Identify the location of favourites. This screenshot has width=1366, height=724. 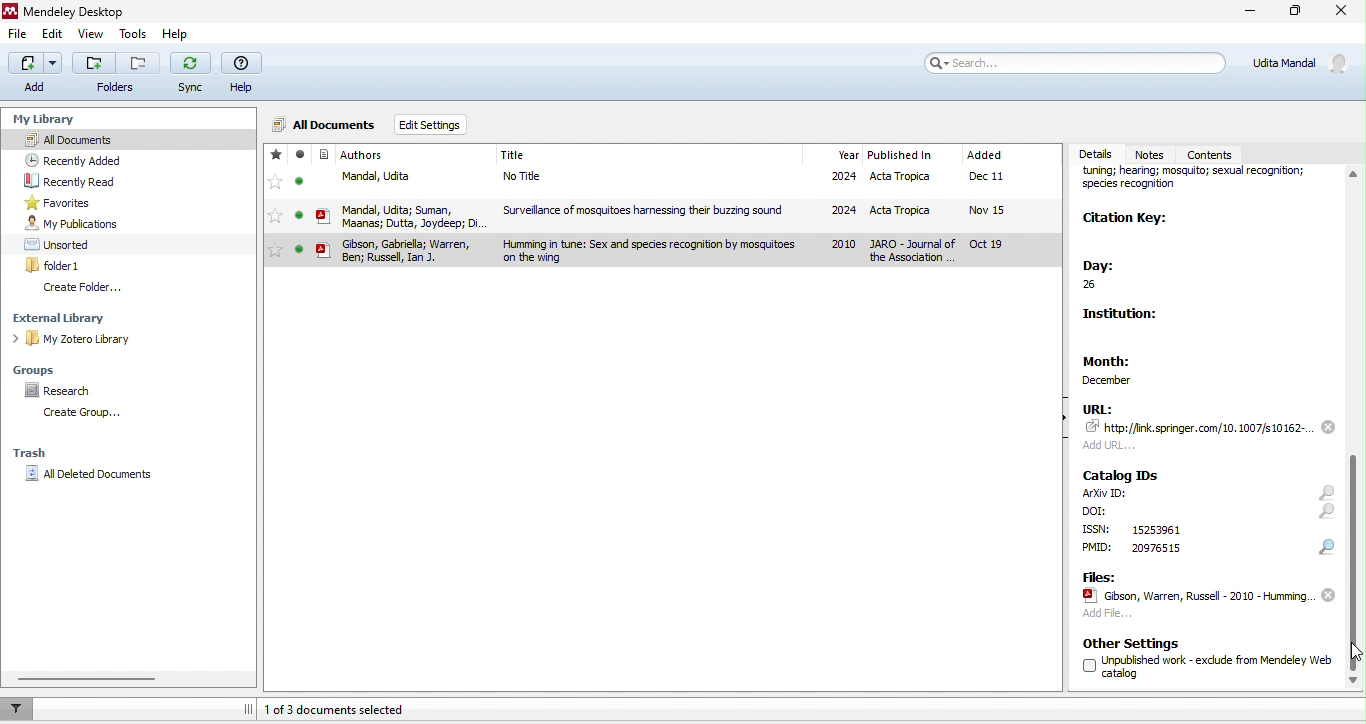
(275, 186).